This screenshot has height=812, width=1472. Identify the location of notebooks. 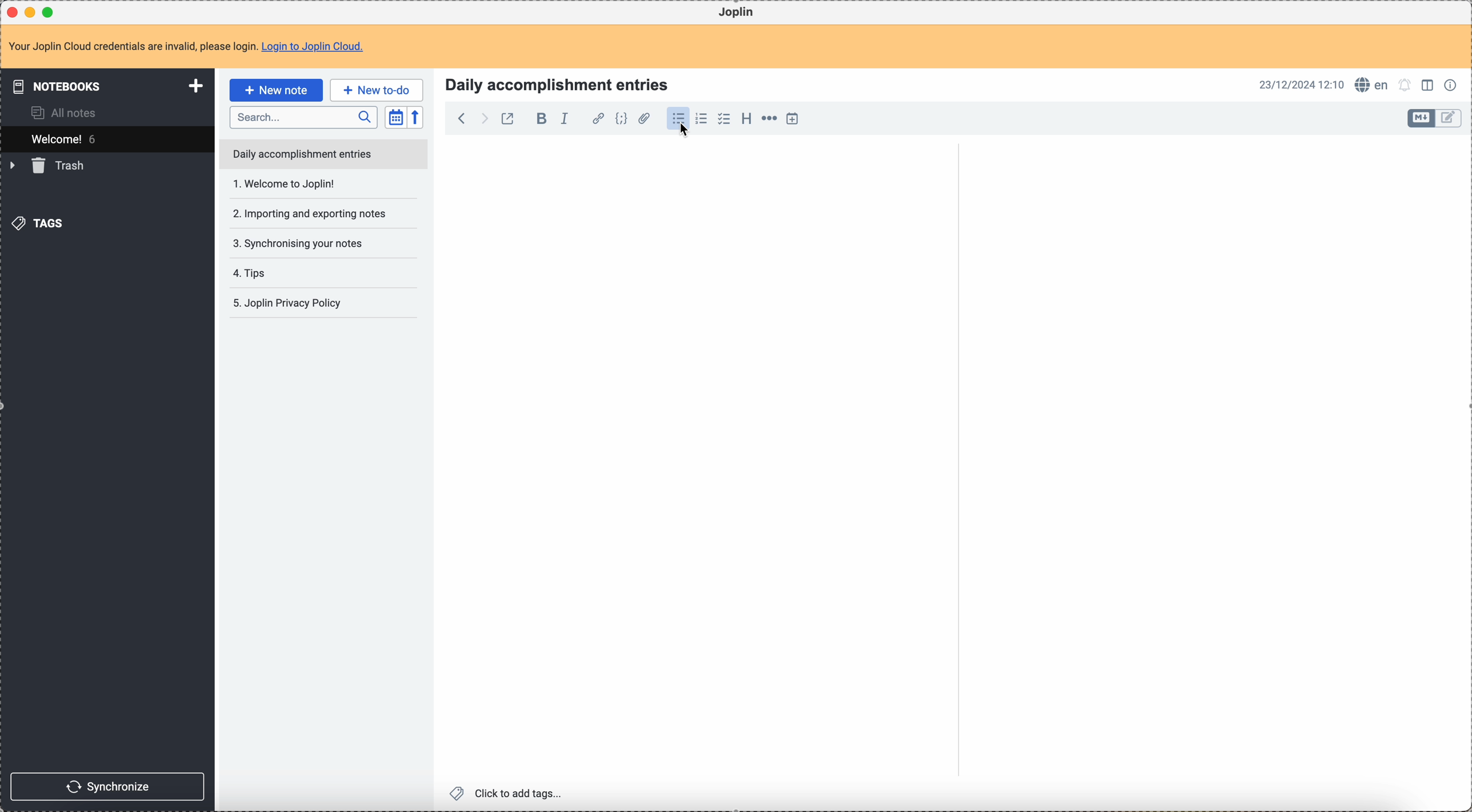
(105, 85).